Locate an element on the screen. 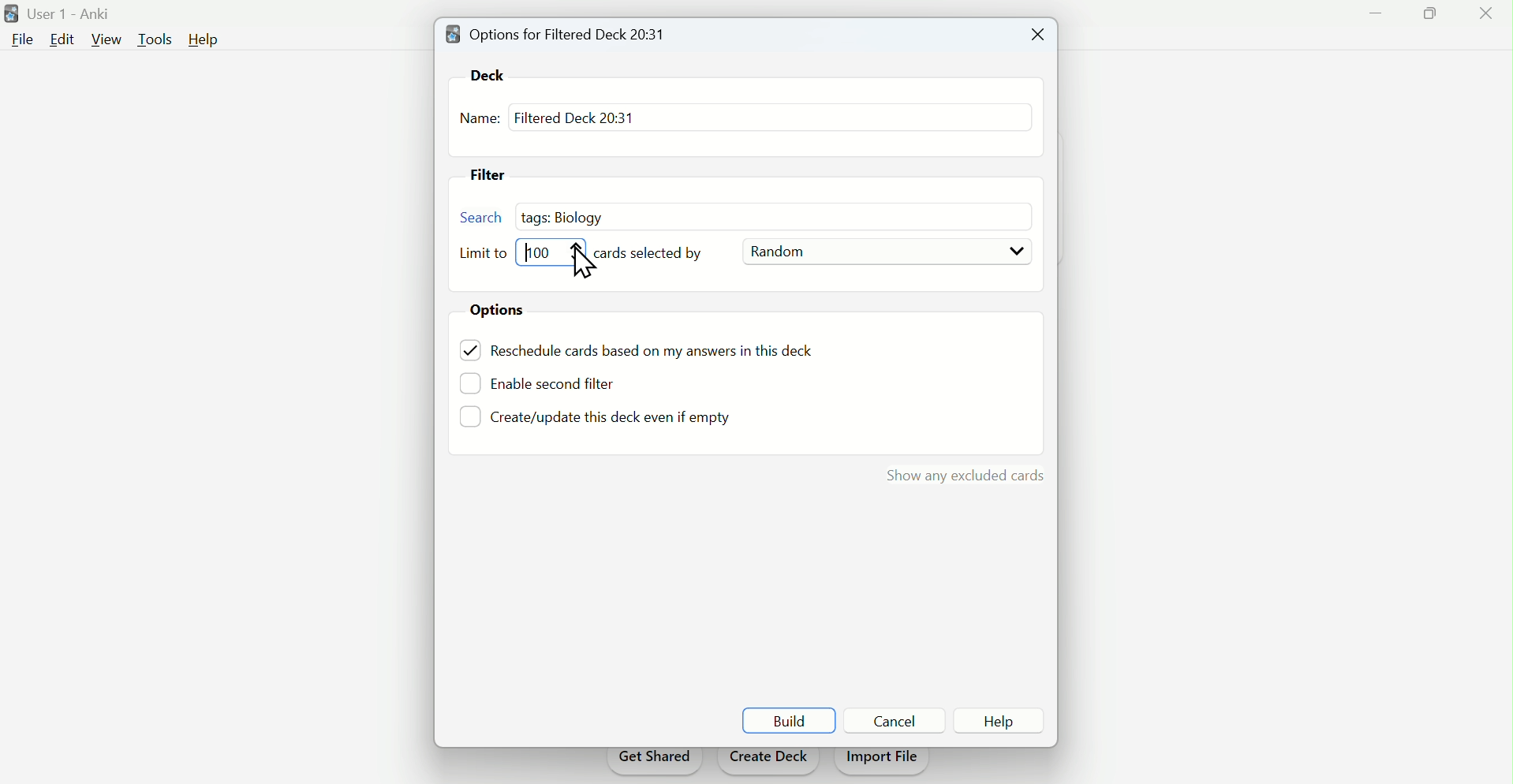  Dek is located at coordinates (494, 74).